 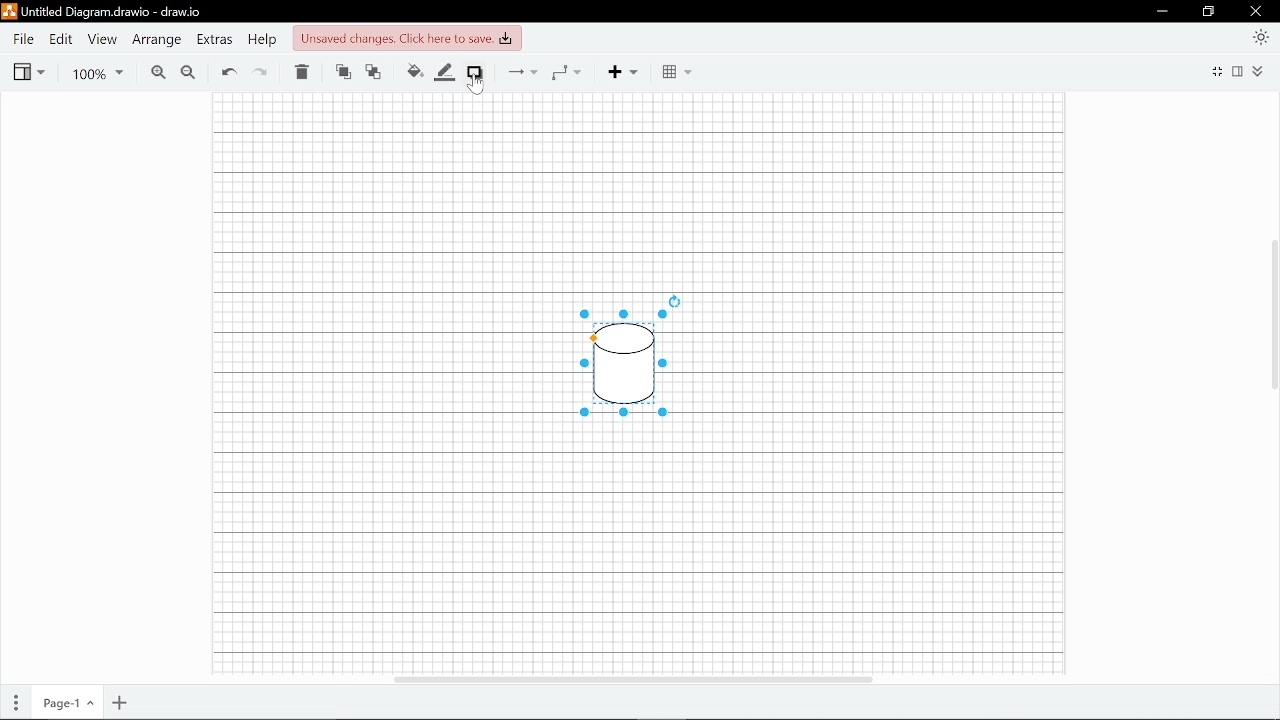 I want to click on Current window, so click(x=100, y=12).